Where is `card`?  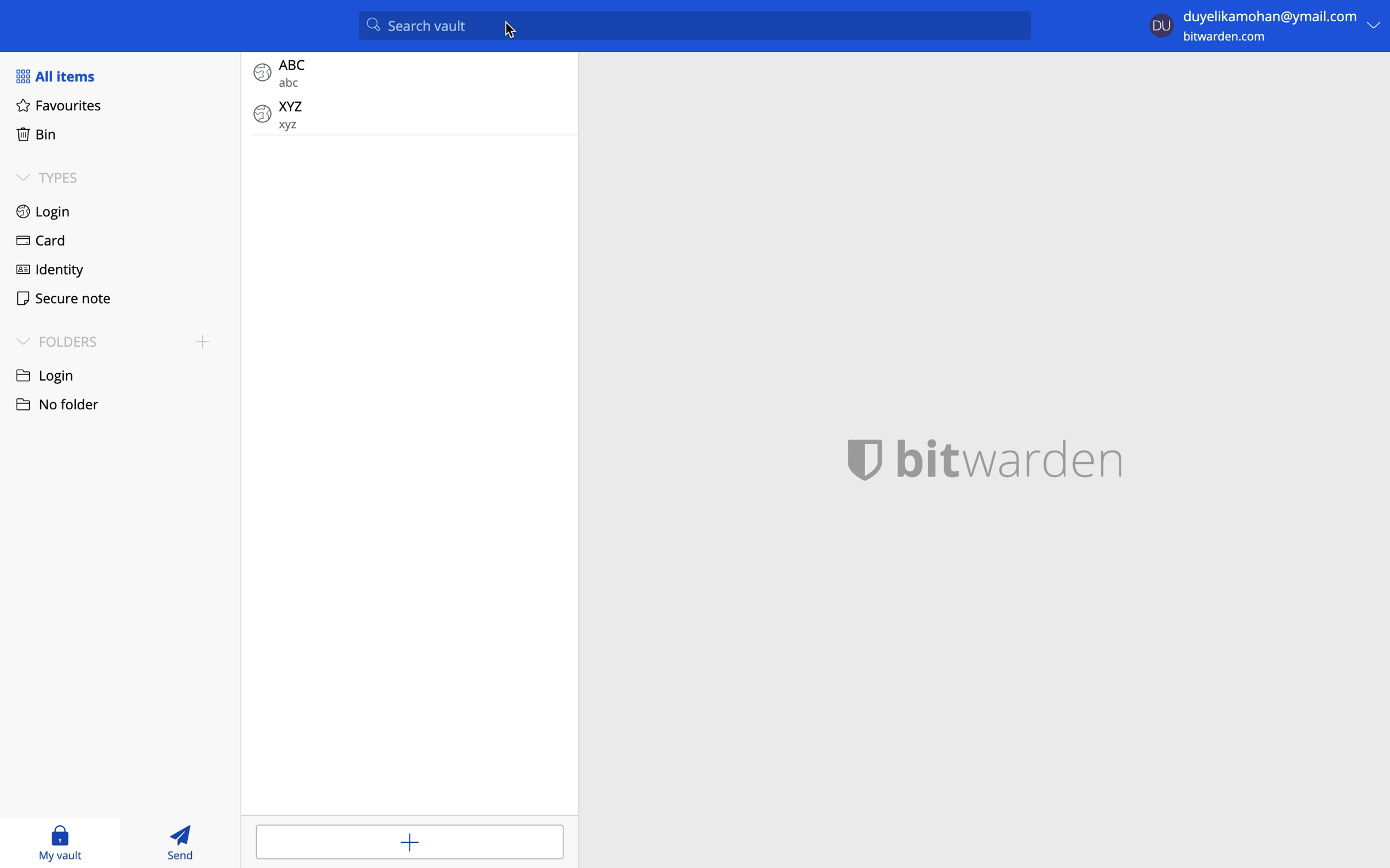
card is located at coordinates (43, 241).